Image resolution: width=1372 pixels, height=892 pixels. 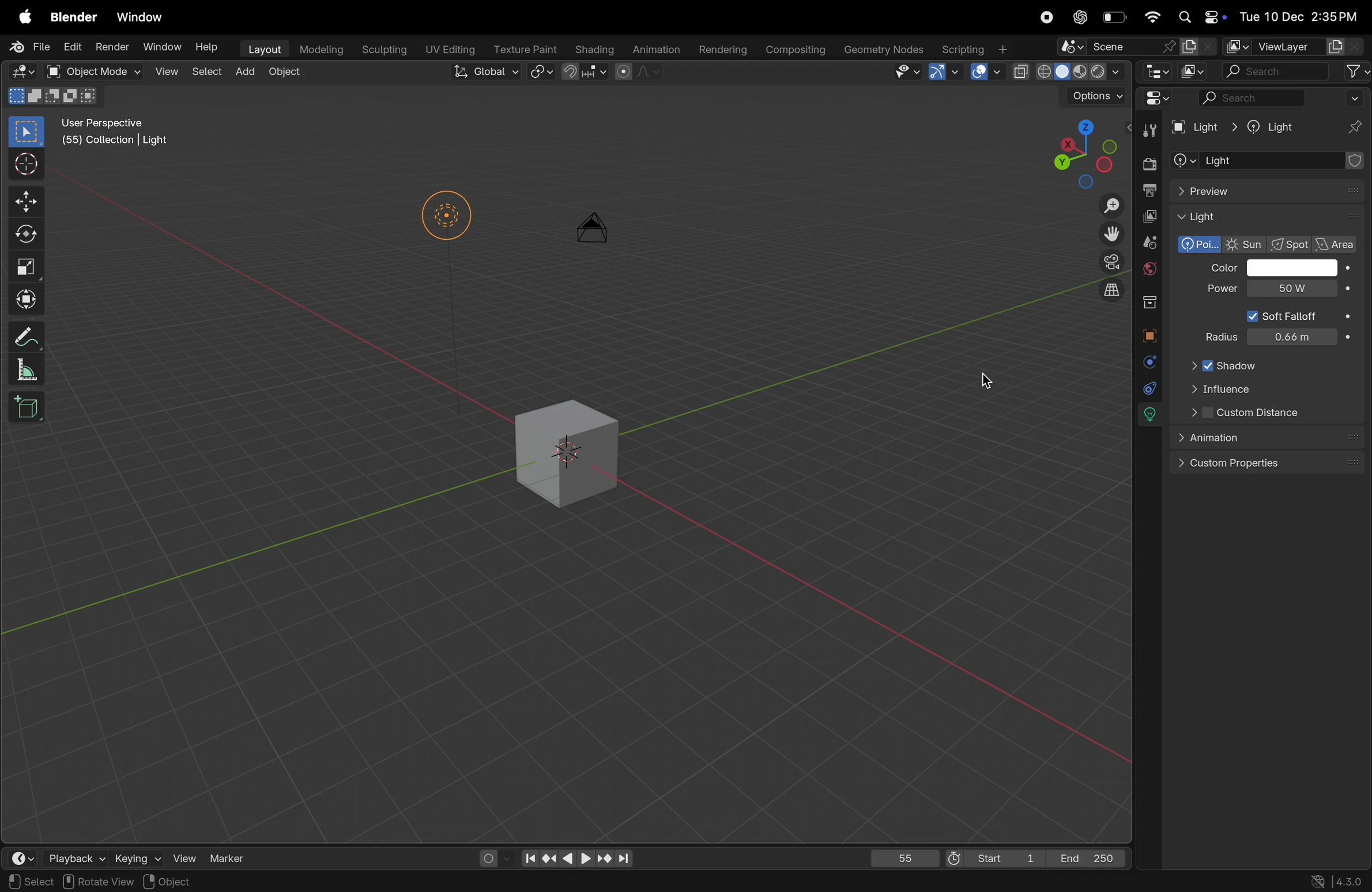 What do you see at coordinates (98, 882) in the screenshot?
I see `rotate` at bounding box center [98, 882].